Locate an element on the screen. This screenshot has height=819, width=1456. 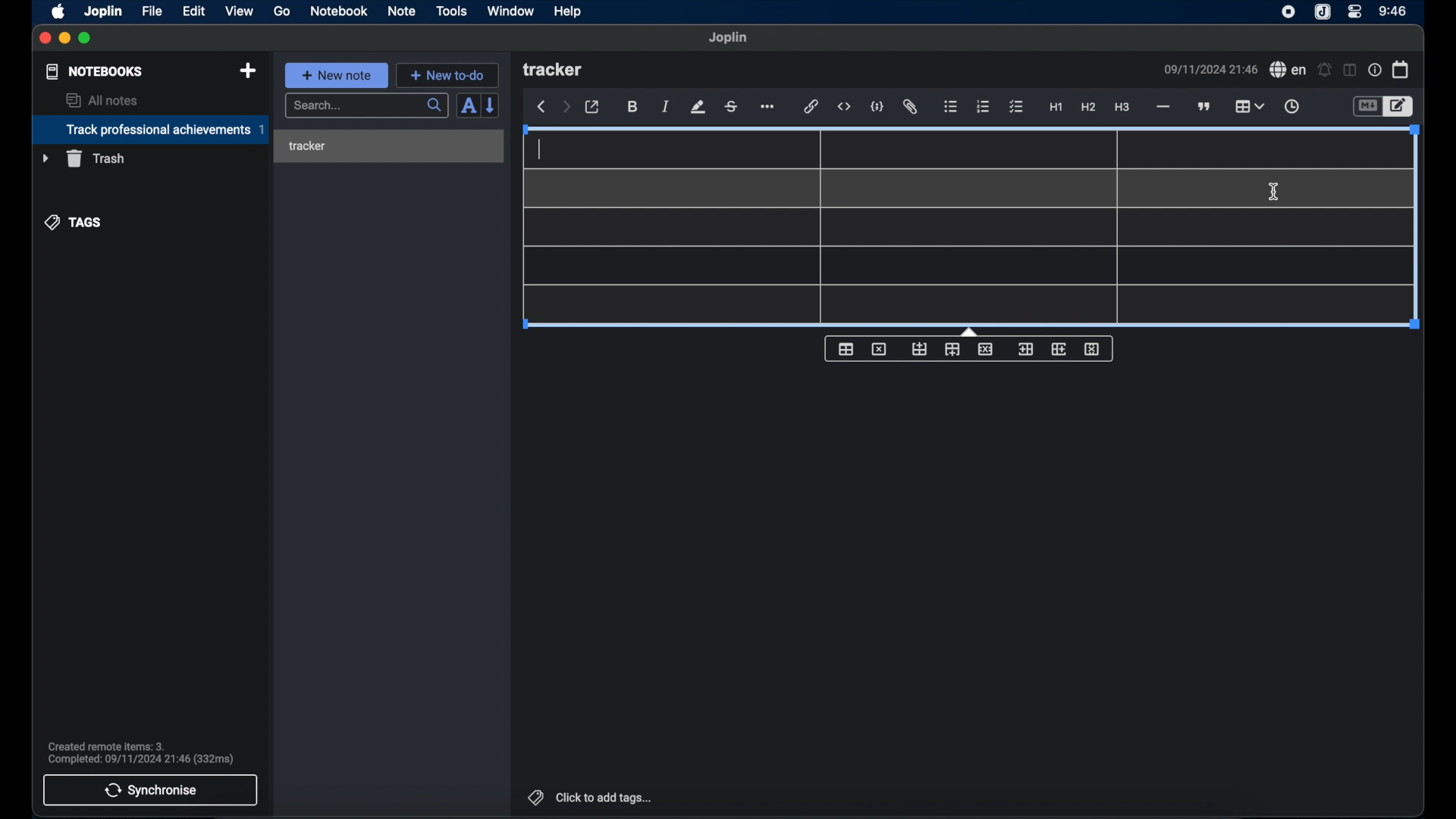
I beam cursor is located at coordinates (1274, 192).